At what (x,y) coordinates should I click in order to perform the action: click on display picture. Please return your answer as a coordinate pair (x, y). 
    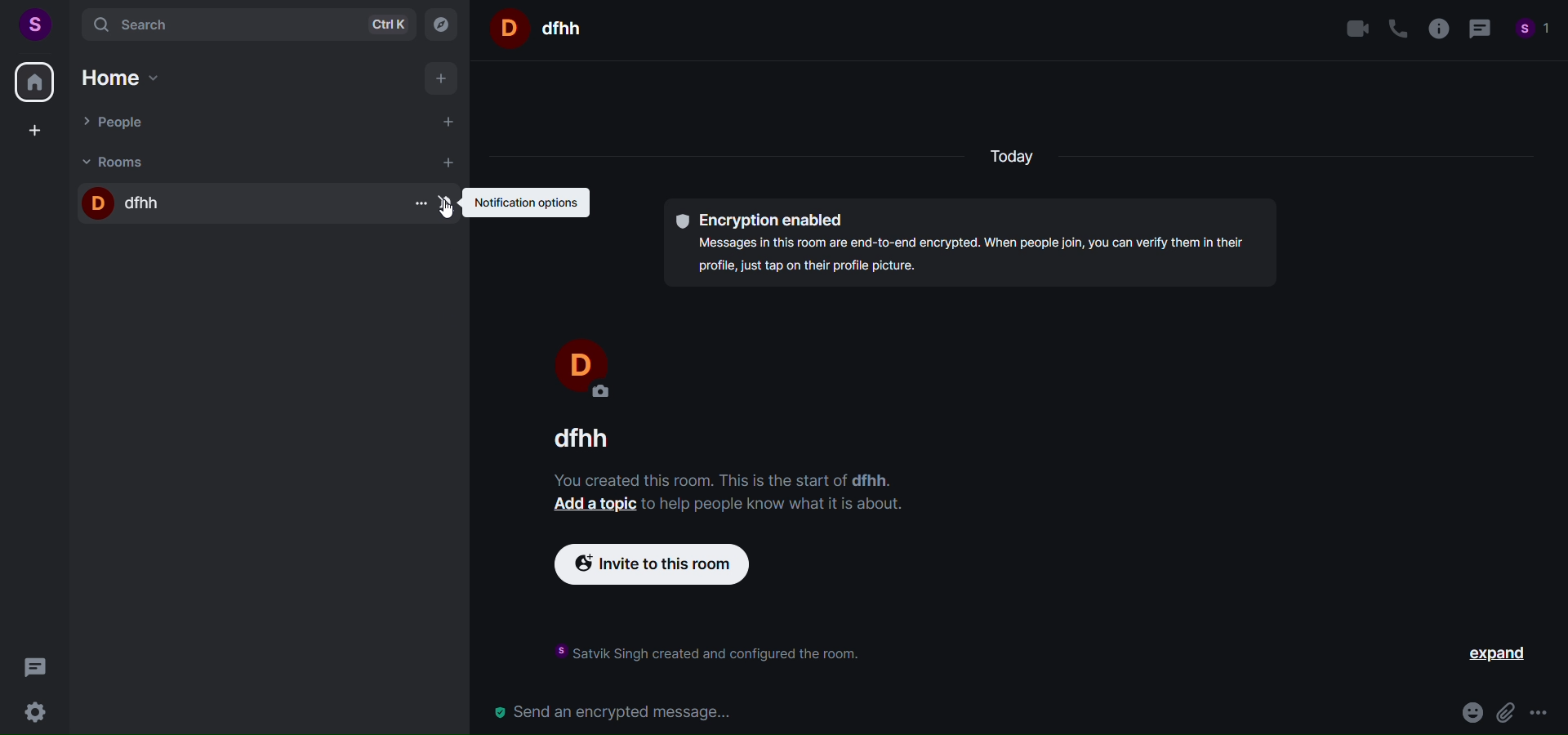
    Looking at the image, I should click on (578, 364).